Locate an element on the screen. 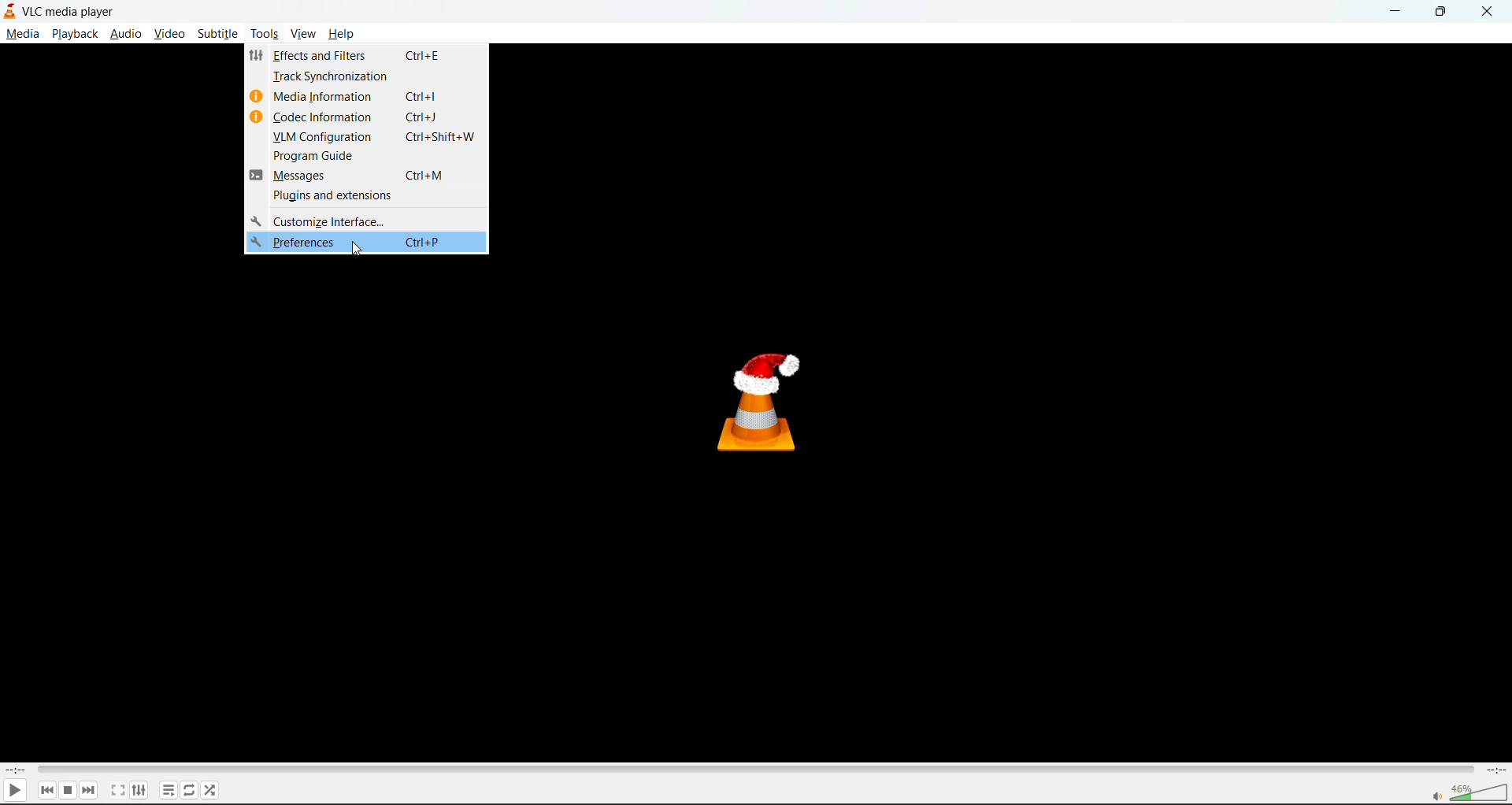 This screenshot has width=1512, height=805. thumbnail is located at coordinates (765, 401).